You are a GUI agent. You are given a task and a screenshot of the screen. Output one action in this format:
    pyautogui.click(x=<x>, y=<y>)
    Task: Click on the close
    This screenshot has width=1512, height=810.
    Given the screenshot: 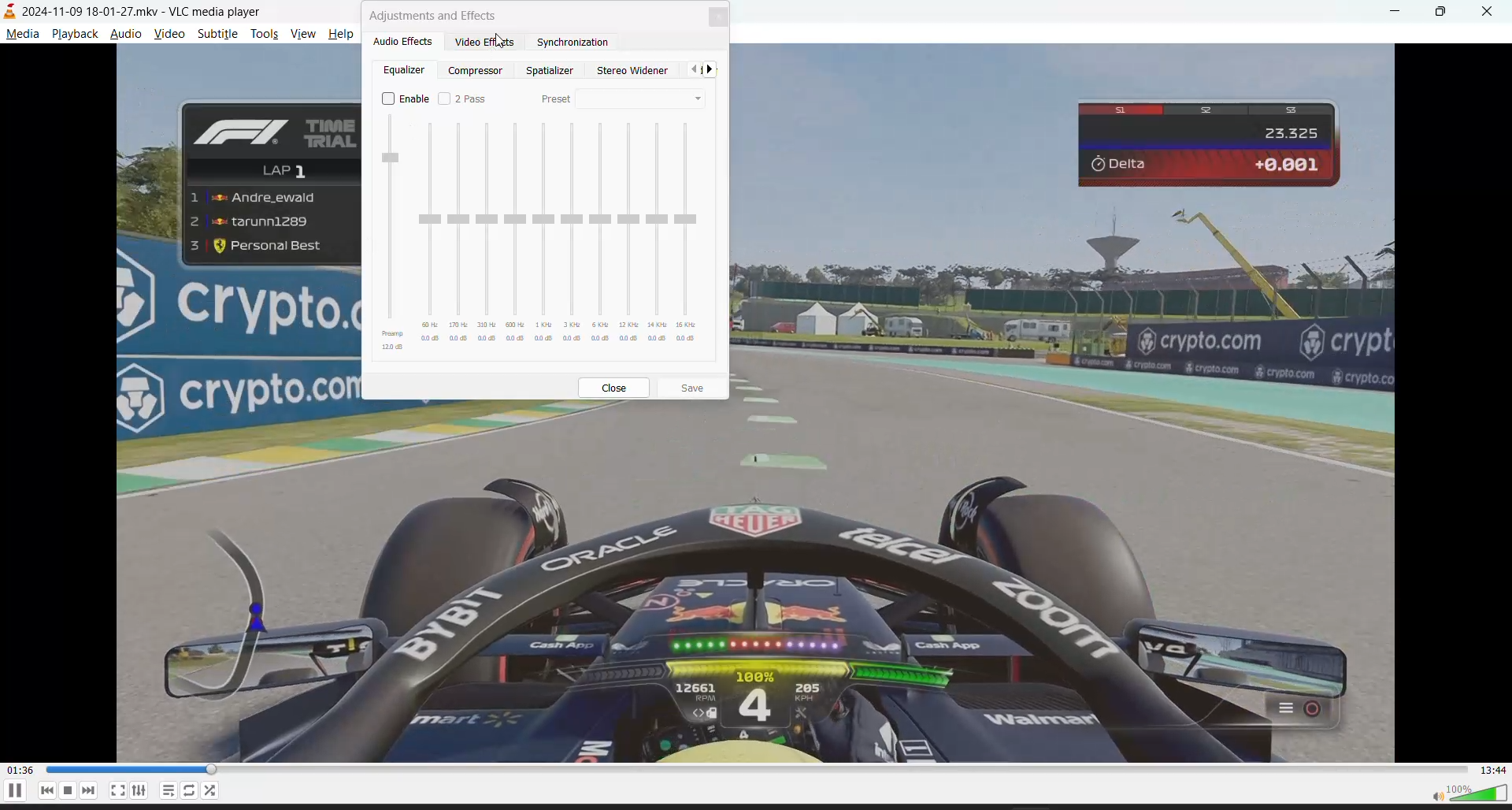 What is the action you would take?
    pyautogui.click(x=1489, y=9)
    